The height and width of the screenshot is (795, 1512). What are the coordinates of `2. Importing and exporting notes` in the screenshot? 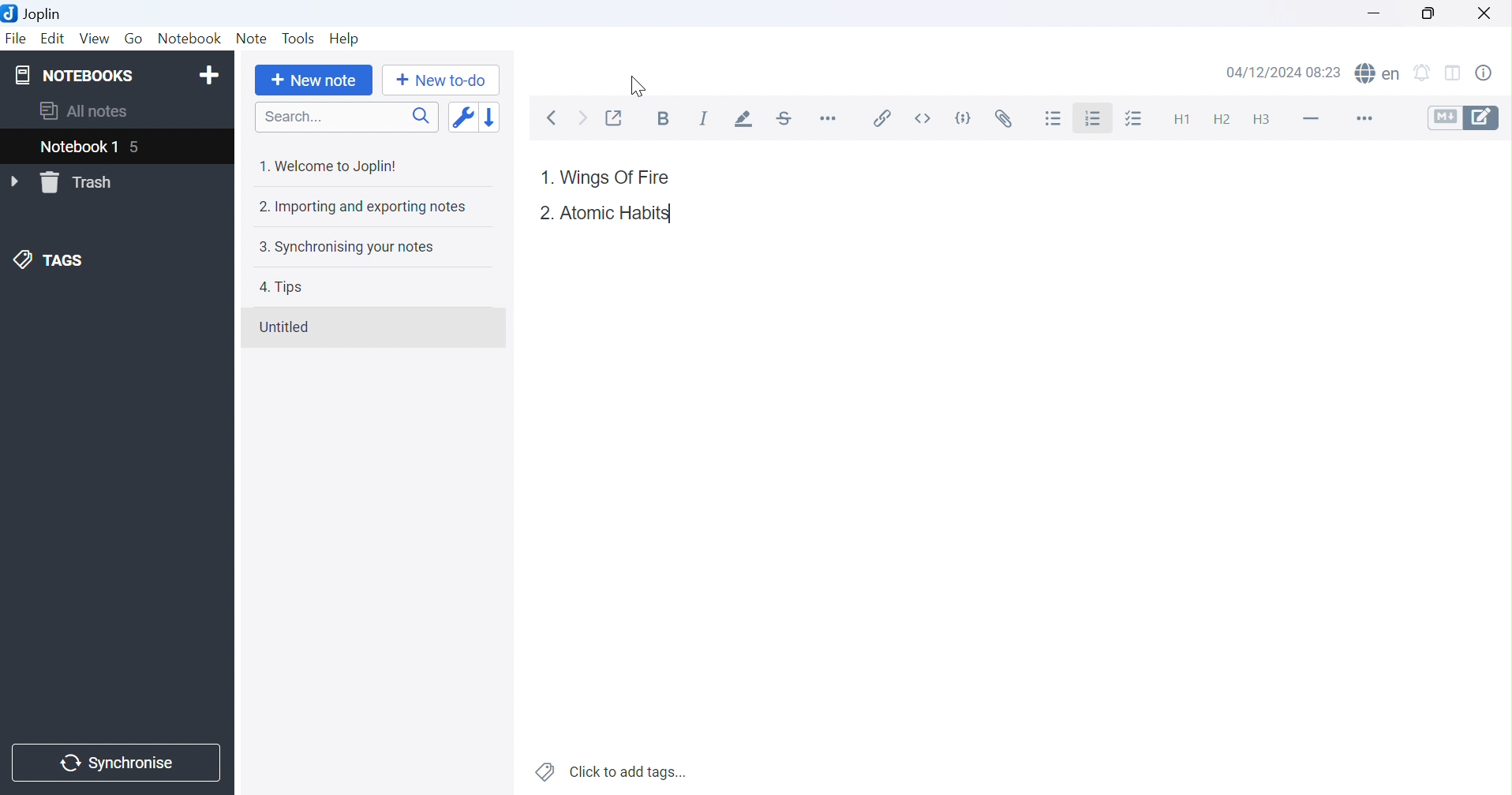 It's located at (361, 207).